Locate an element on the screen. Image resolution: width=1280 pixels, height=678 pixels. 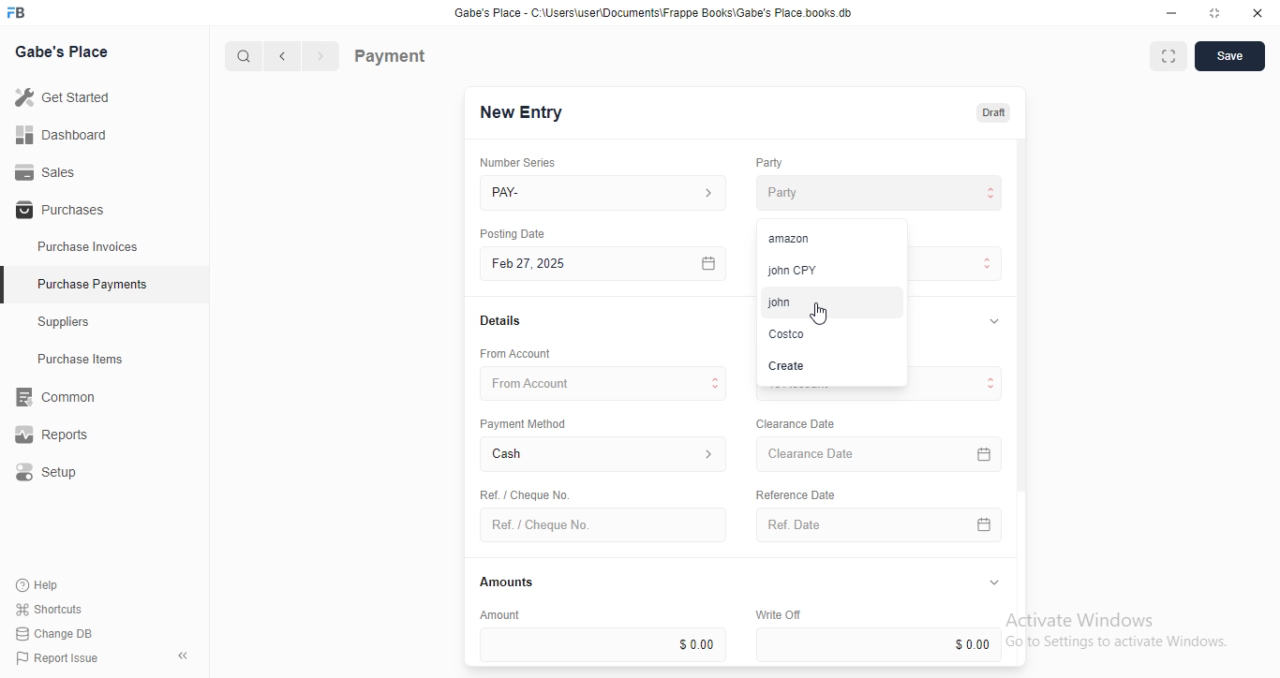
$0.00 is located at coordinates (882, 644).